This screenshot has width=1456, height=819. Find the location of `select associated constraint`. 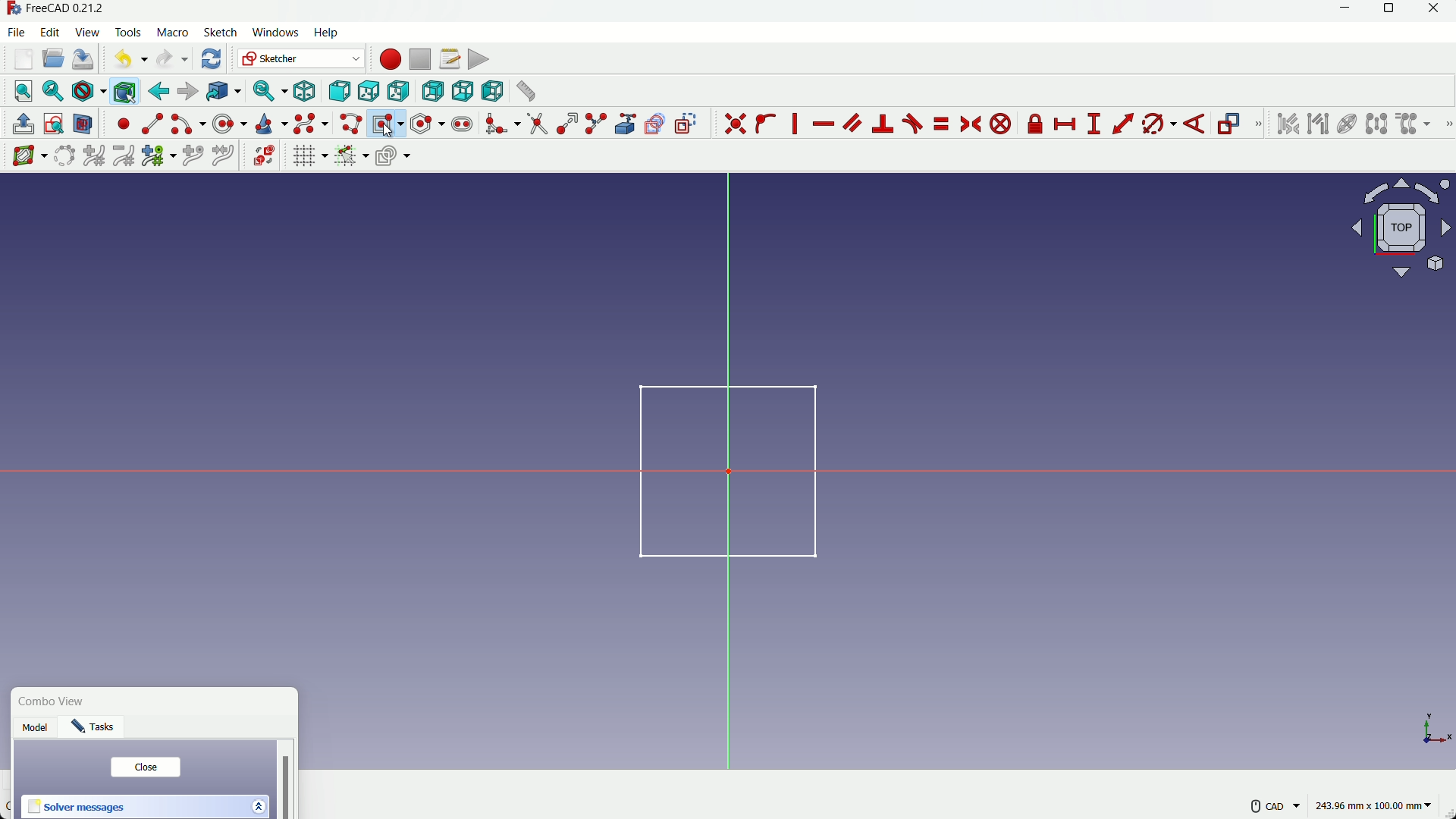

select associated constraint is located at coordinates (1287, 124).